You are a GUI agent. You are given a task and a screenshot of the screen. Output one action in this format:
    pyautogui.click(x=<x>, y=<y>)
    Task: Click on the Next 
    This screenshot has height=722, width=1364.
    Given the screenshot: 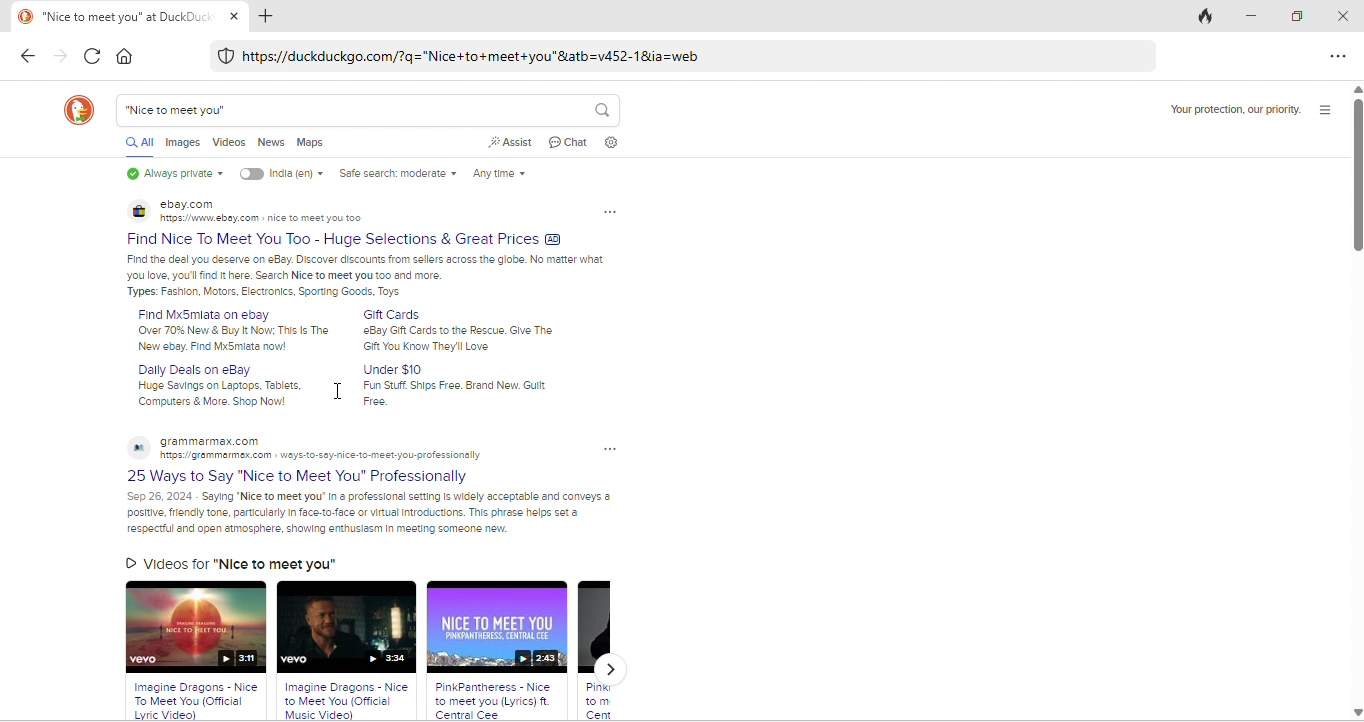 What is the action you would take?
    pyautogui.click(x=609, y=668)
    